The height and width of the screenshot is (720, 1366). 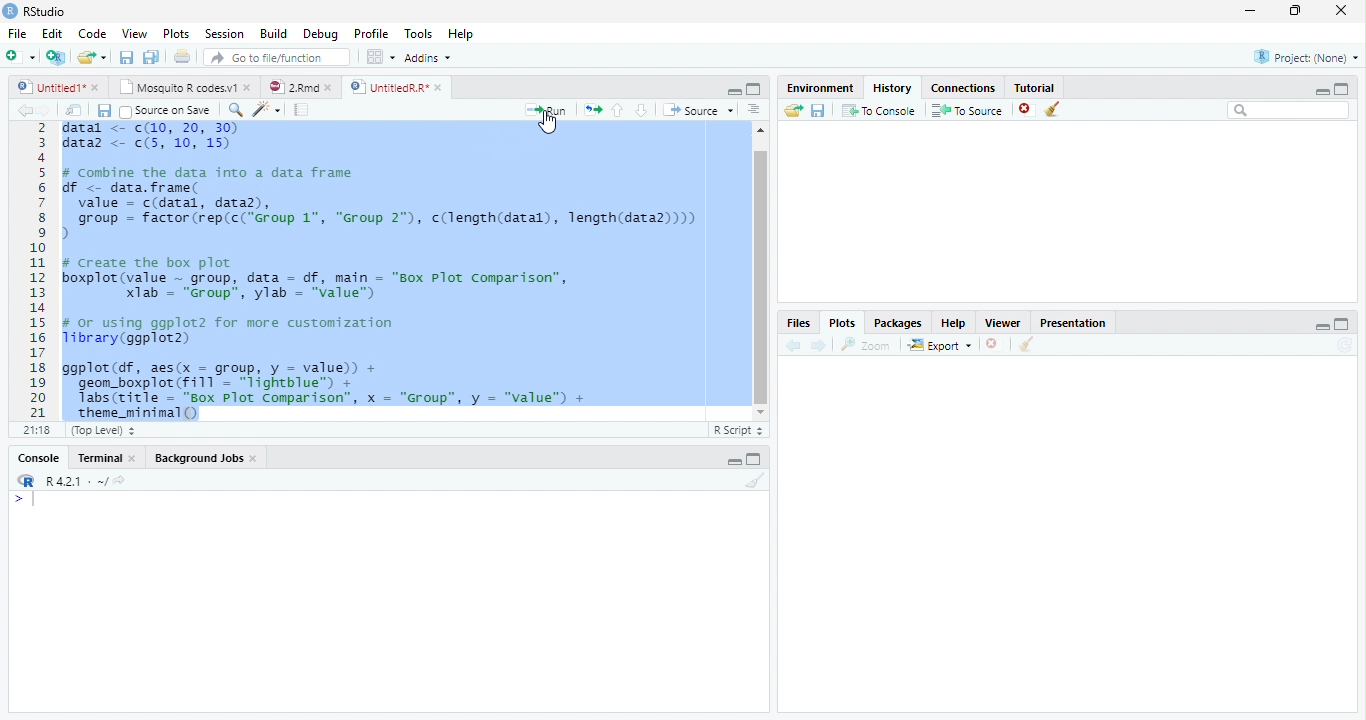 What do you see at coordinates (754, 89) in the screenshot?
I see `Maximize` at bounding box center [754, 89].